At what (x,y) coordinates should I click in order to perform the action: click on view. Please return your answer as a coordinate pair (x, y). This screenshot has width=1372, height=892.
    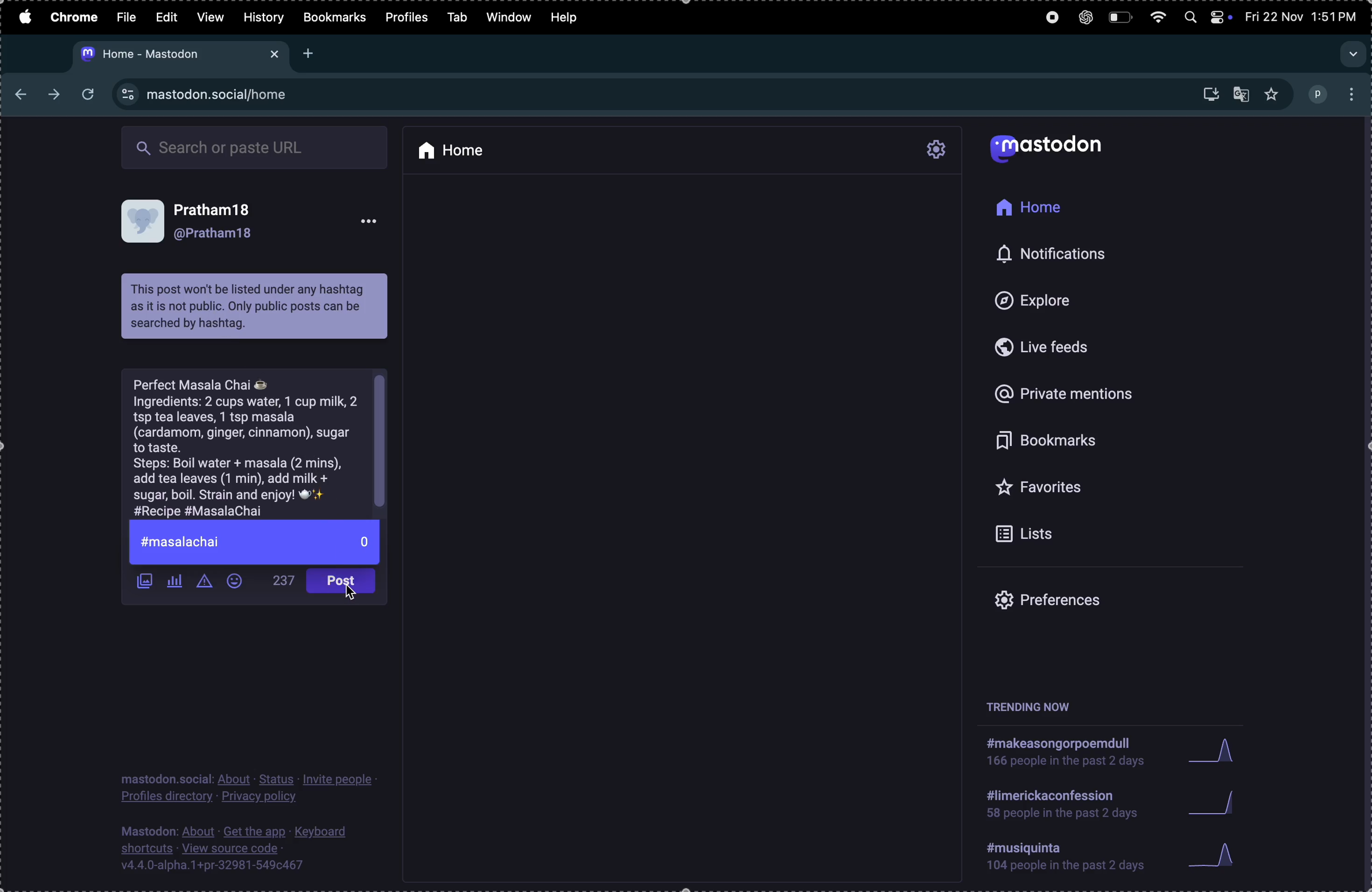
    Looking at the image, I should click on (211, 16).